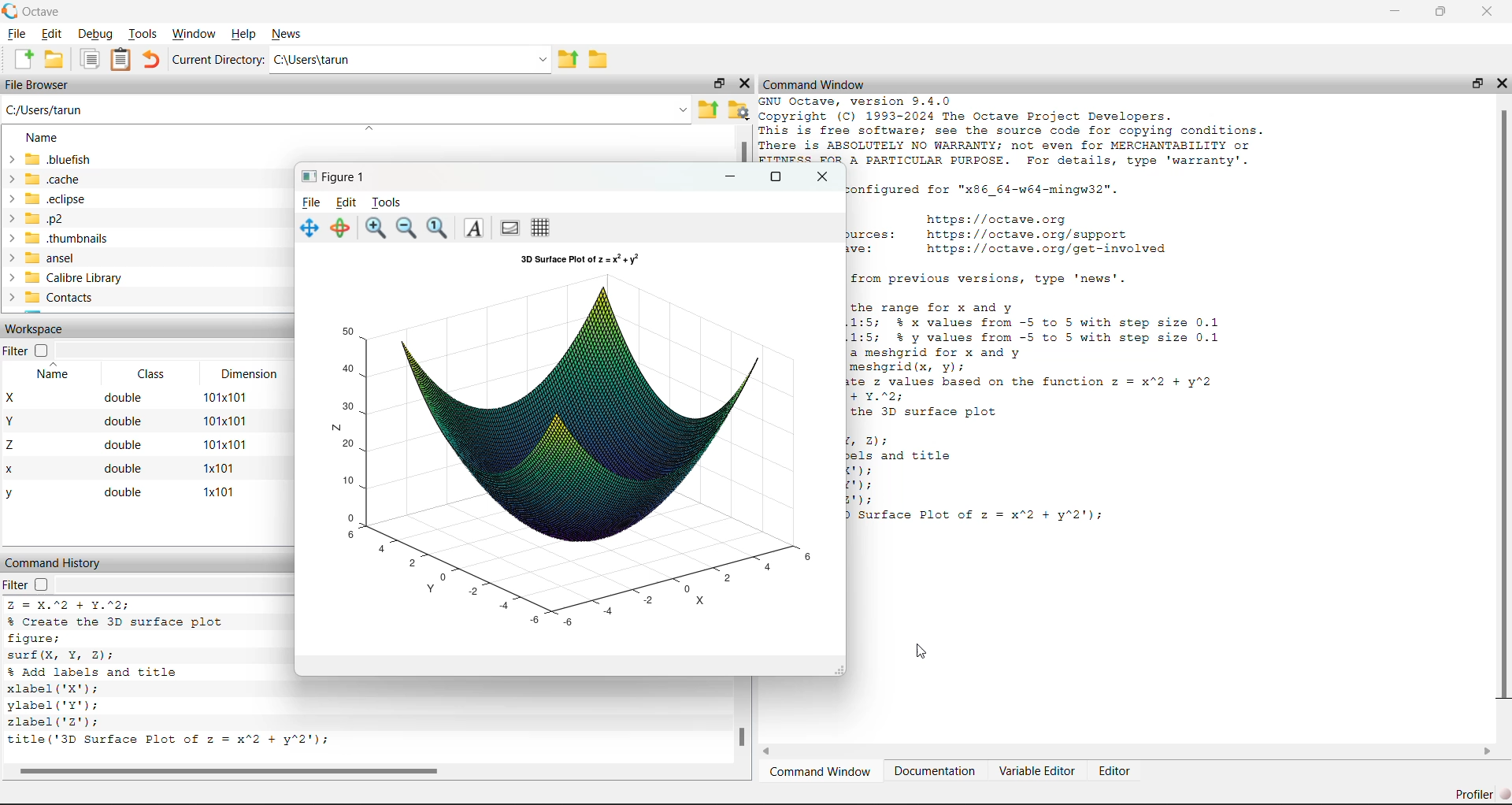  I want to click on eclipse, so click(48, 199).